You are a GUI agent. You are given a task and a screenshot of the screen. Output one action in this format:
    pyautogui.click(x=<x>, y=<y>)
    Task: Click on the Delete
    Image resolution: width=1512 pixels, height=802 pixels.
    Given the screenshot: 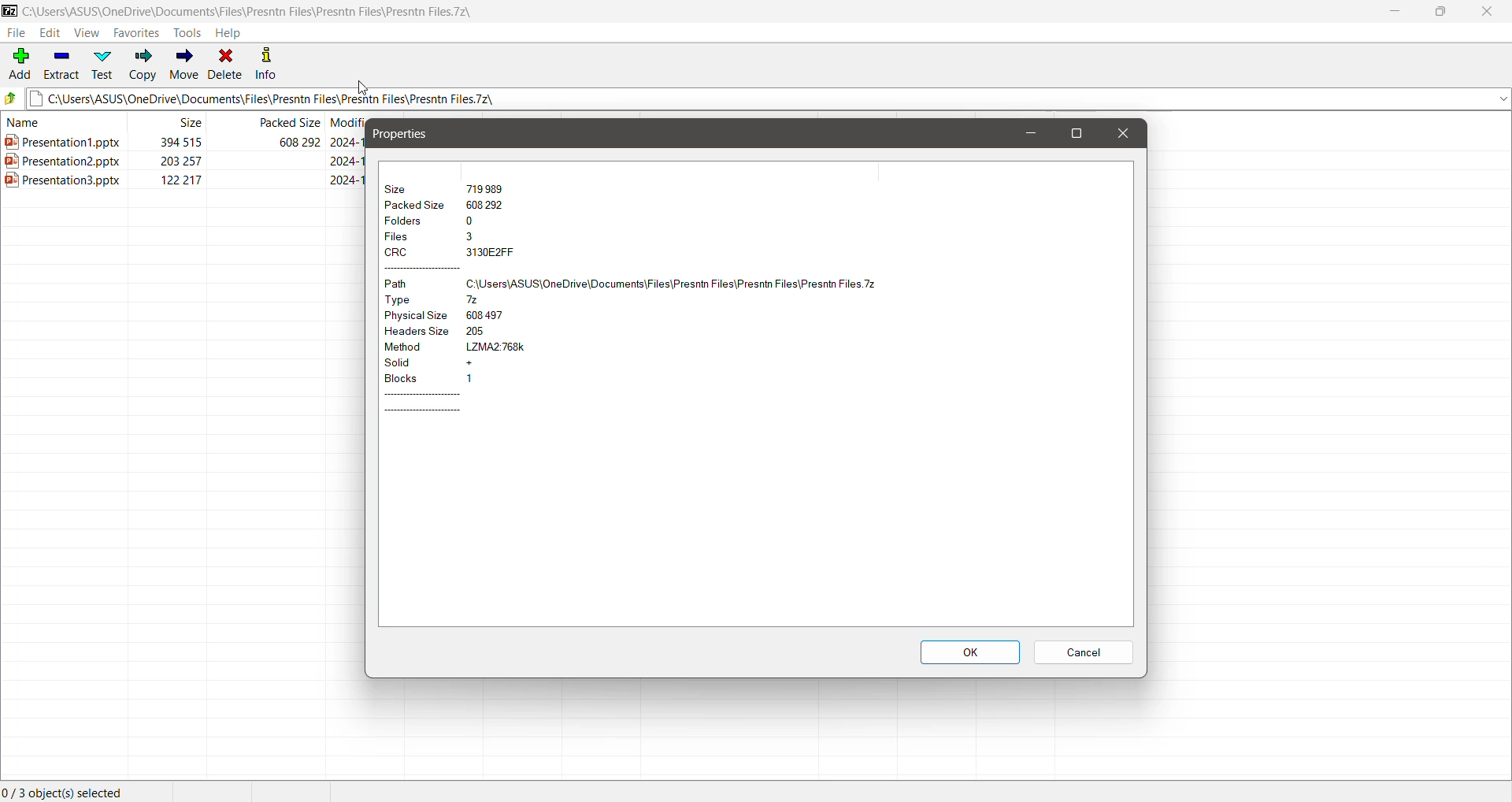 What is the action you would take?
    pyautogui.click(x=225, y=65)
    